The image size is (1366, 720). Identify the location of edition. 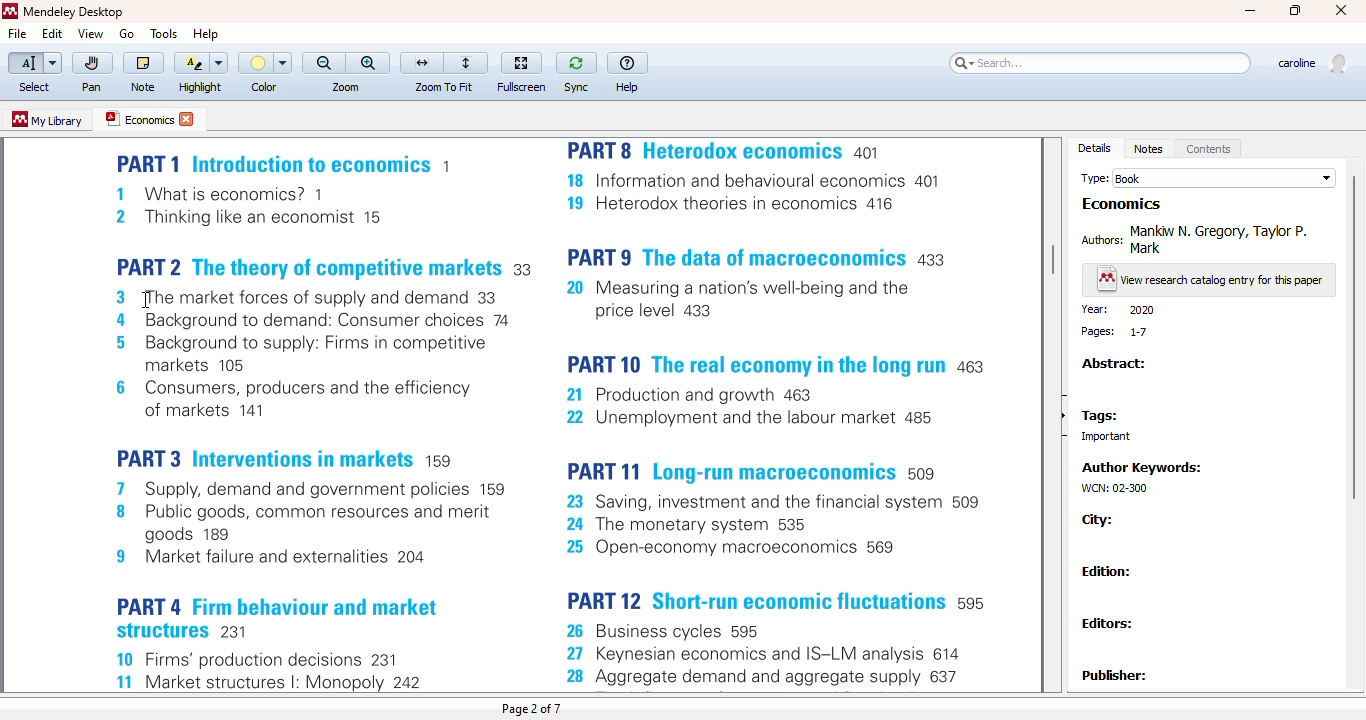
(1107, 571).